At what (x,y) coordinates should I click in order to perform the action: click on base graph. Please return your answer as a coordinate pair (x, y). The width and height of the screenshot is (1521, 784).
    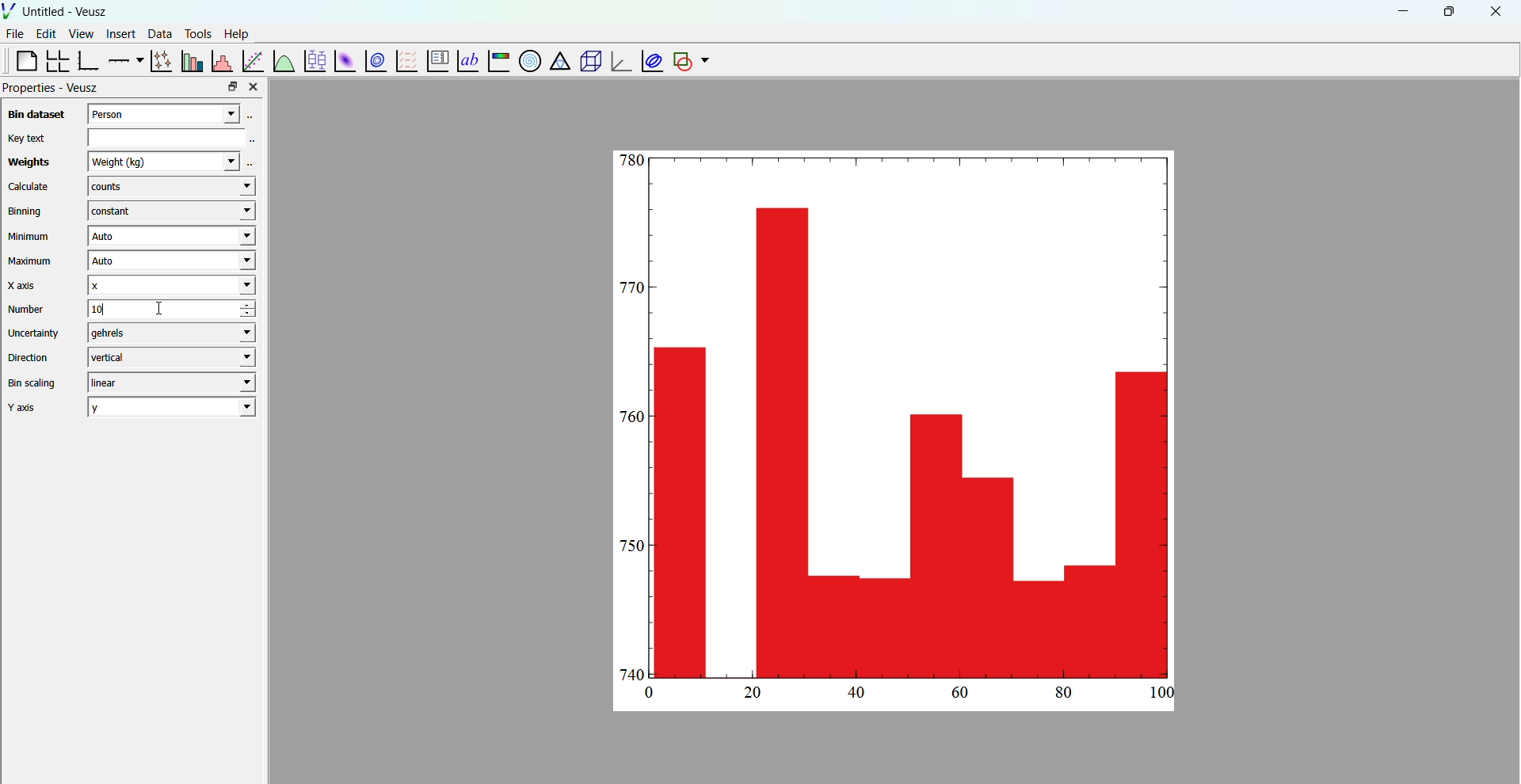
    Looking at the image, I should click on (88, 61).